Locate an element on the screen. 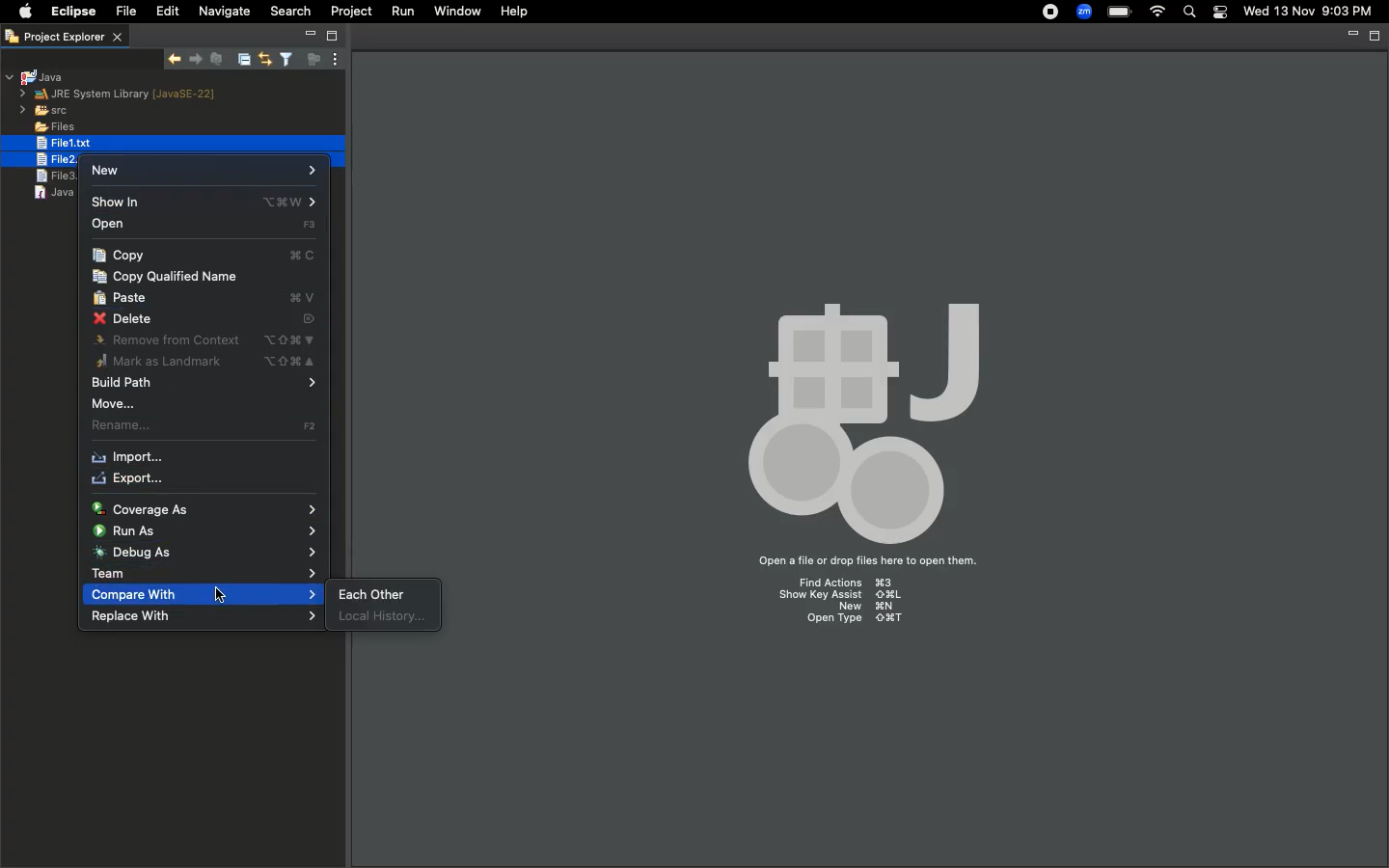 The width and height of the screenshot is (1389, 868). Window is located at coordinates (459, 11).